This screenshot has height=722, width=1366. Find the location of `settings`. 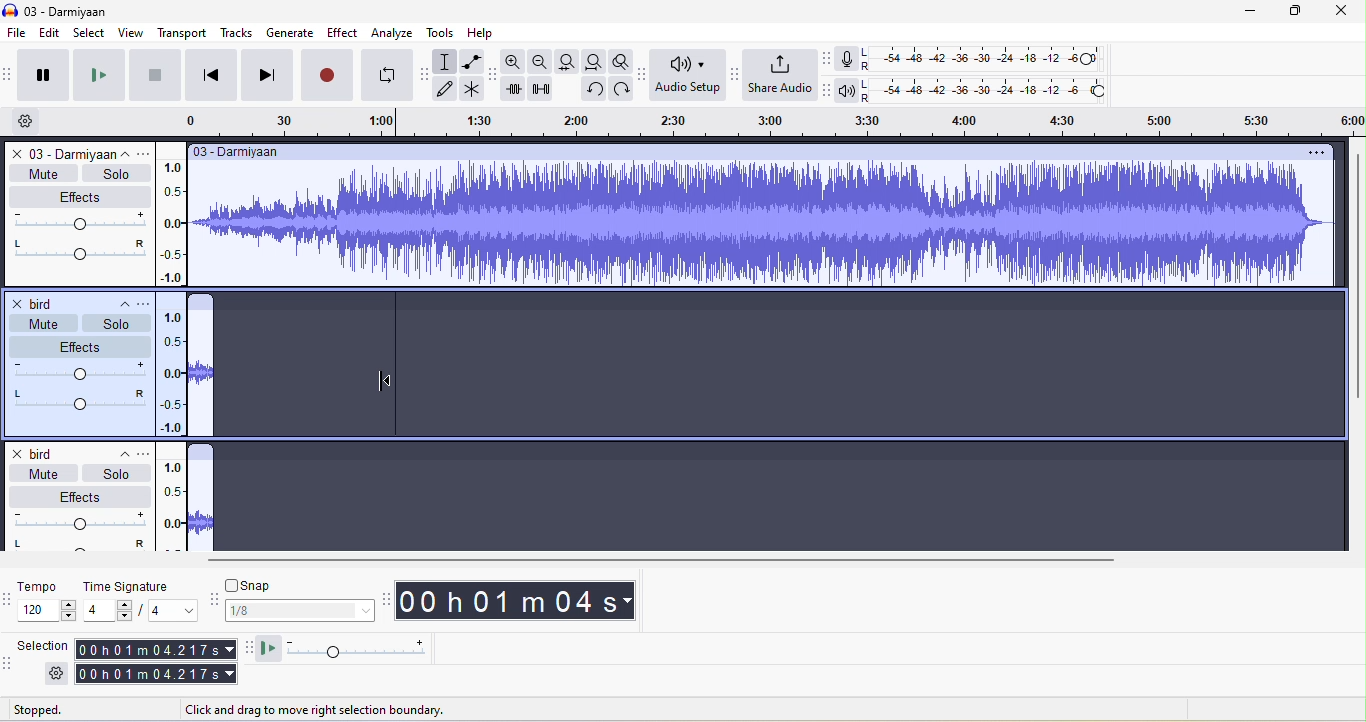

settings is located at coordinates (52, 673).